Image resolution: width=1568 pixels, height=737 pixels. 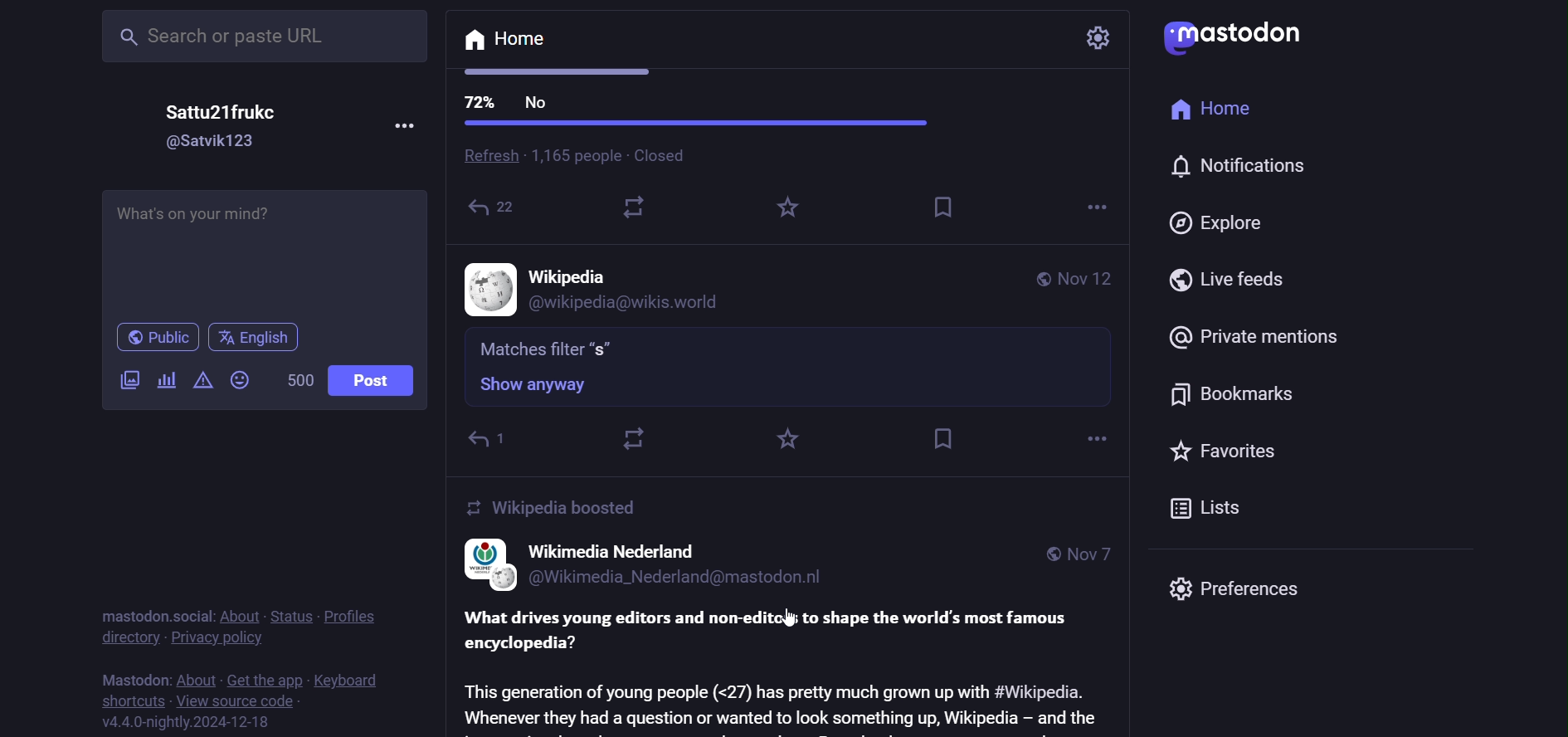 I want to click on search, so click(x=267, y=34).